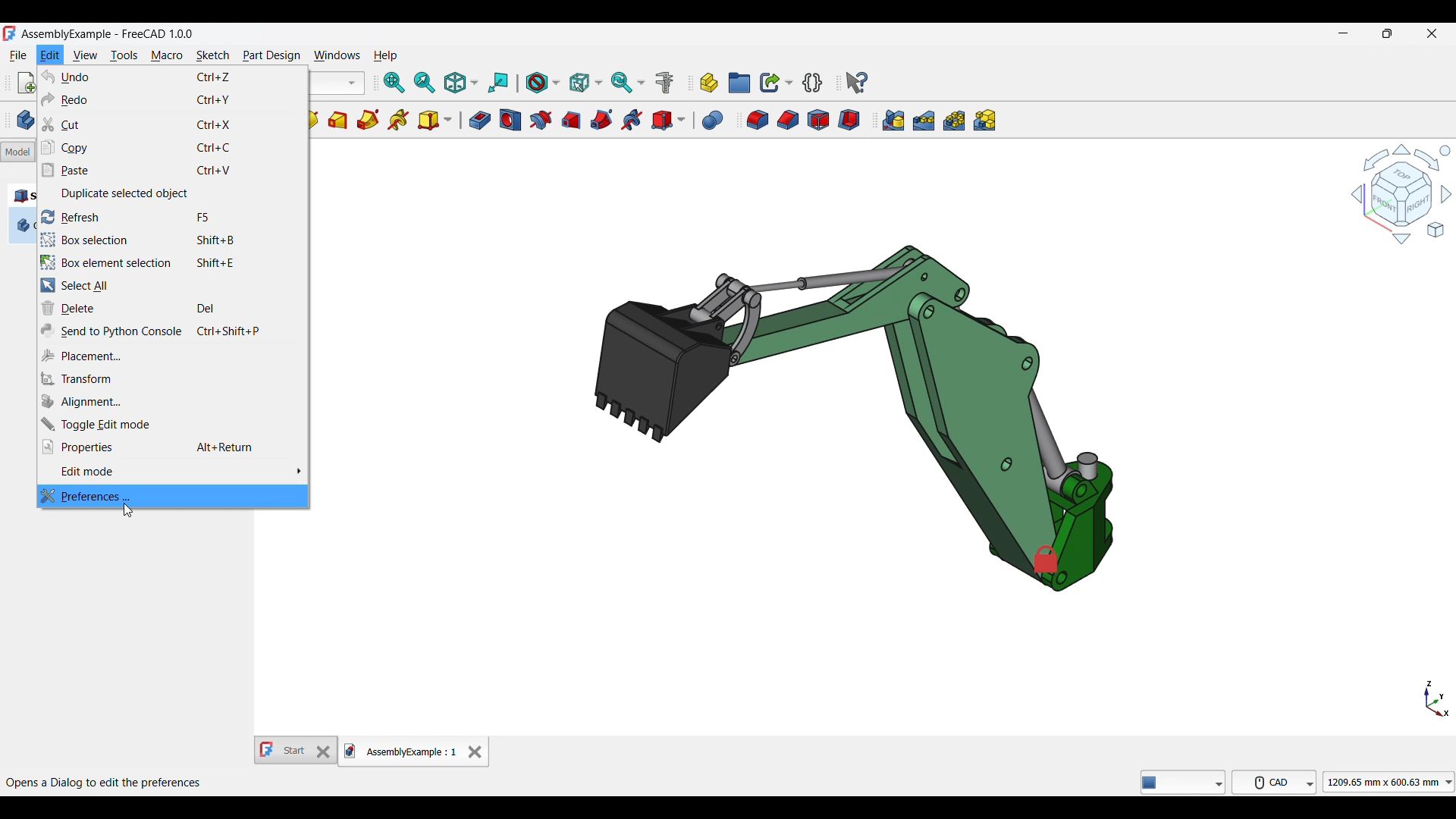 Image resolution: width=1456 pixels, height=819 pixels. Describe the element at coordinates (585, 82) in the screenshot. I see `Selection filter options` at that location.